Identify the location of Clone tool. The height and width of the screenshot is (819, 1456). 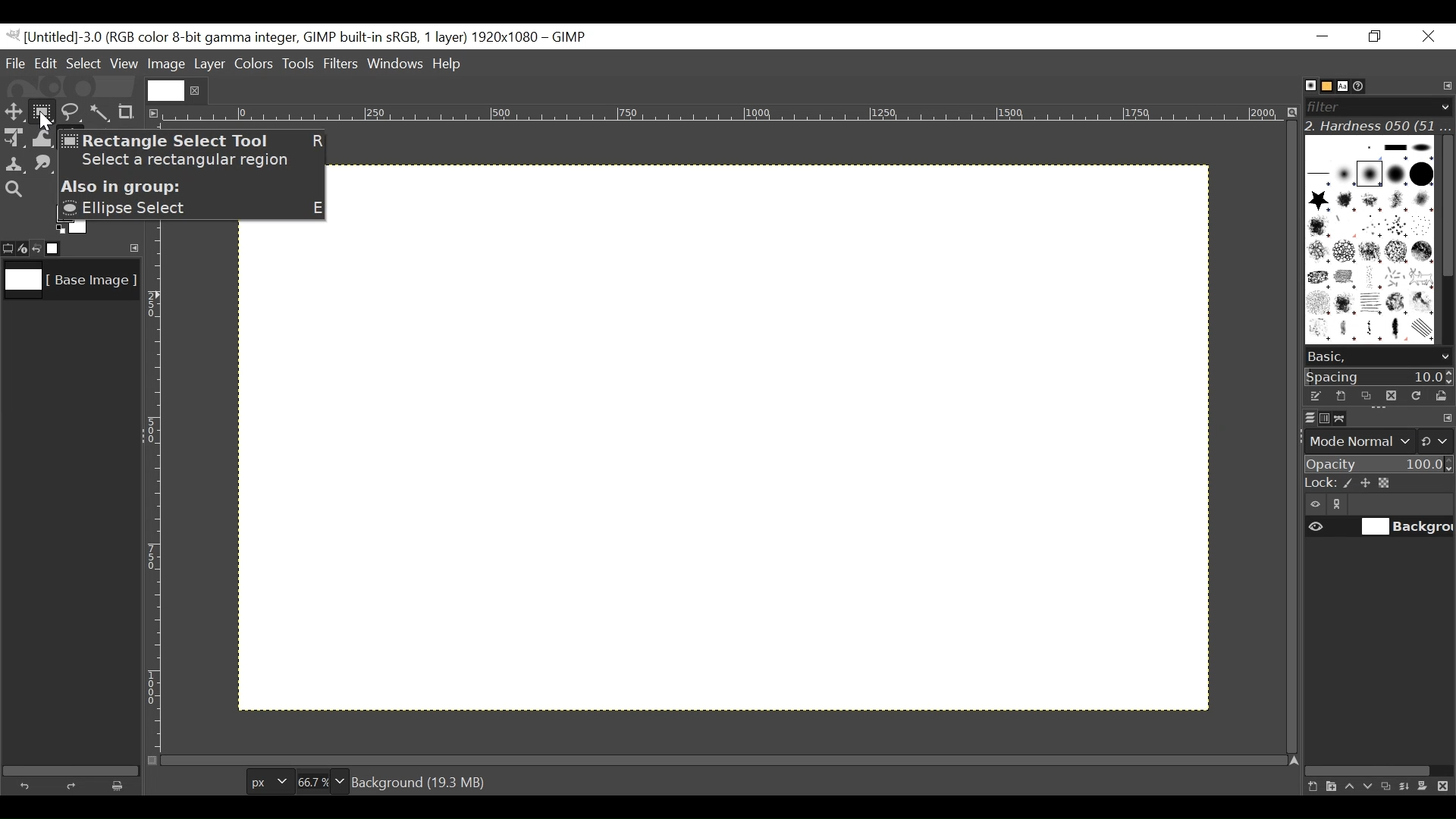
(14, 165).